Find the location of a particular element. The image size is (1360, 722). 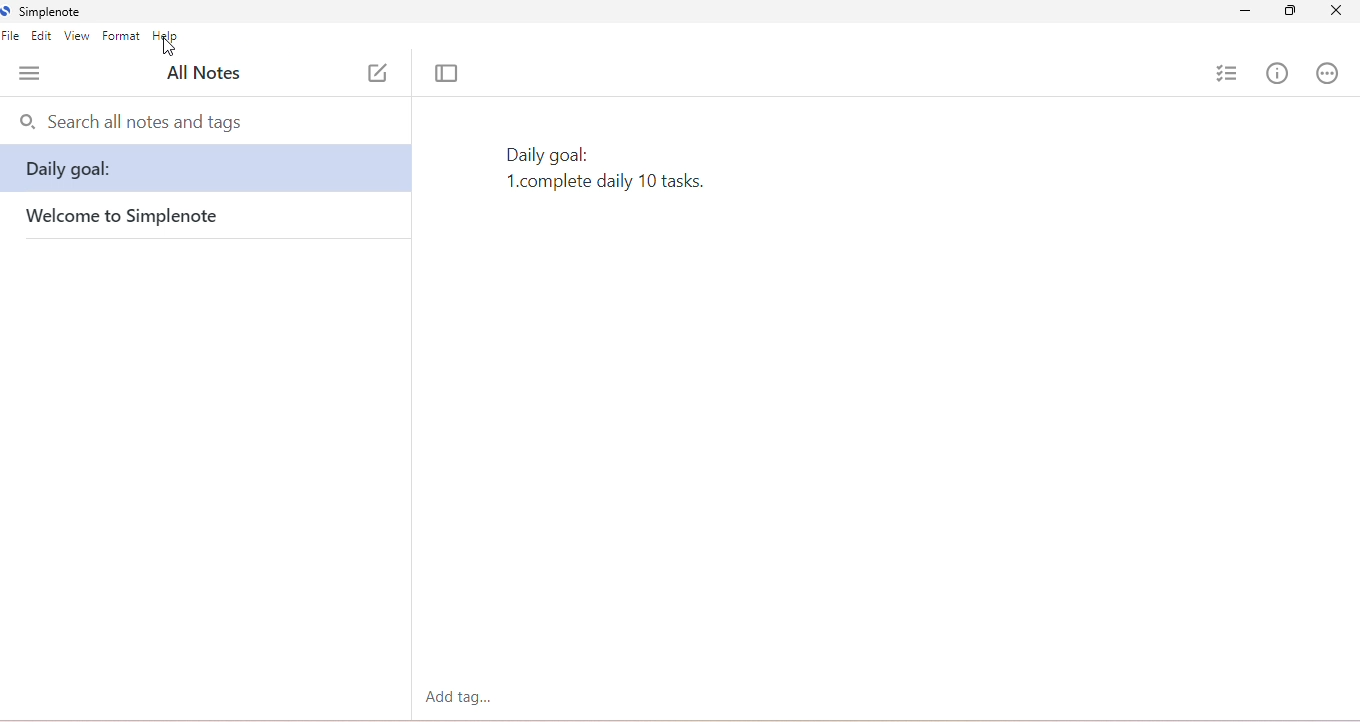

toggle focus mode is located at coordinates (450, 74).